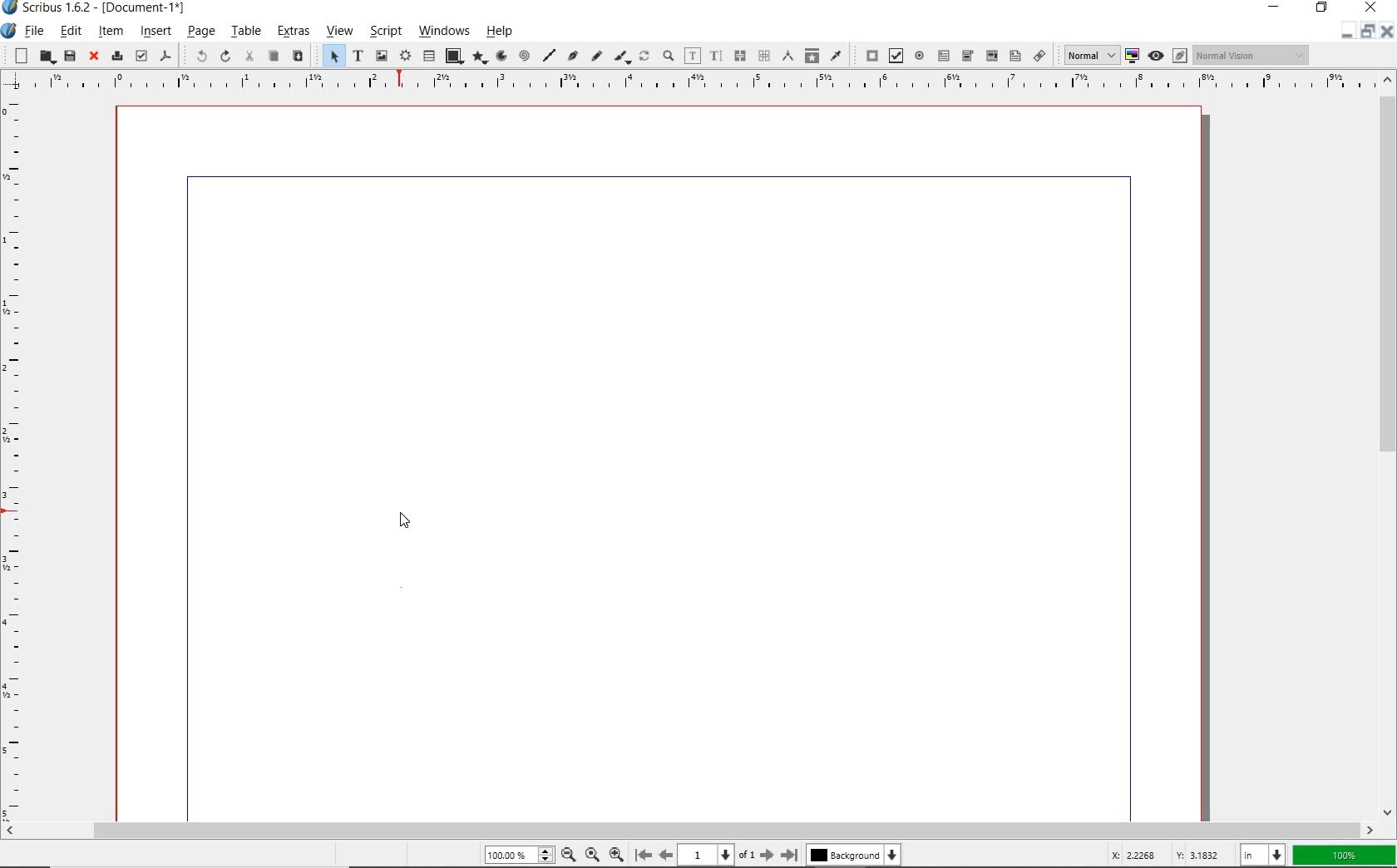  Describe the element at coordinates (868, 56) in the screenshot. I see `pdf push button` at that location.